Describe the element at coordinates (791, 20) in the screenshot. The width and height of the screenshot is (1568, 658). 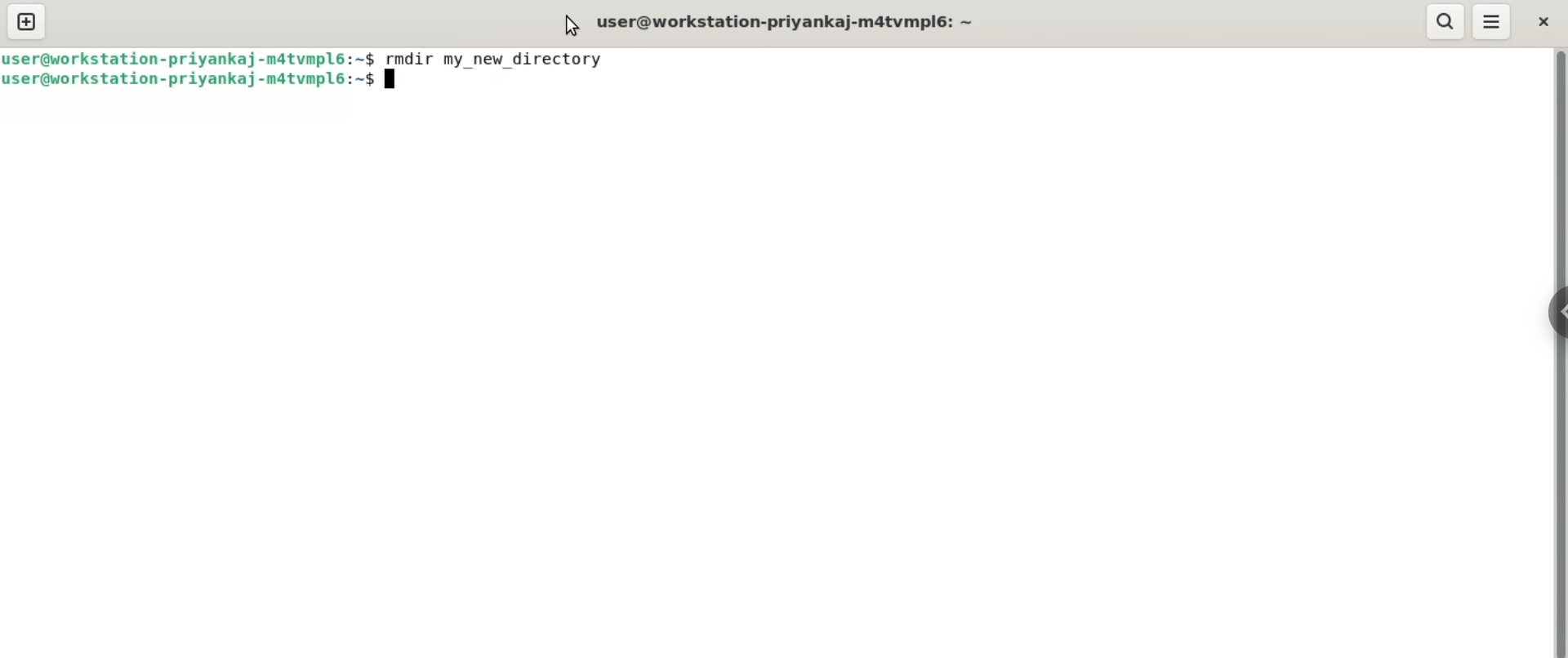
I see `user@workstation-priyanka-m4tvmpl6:~` at that location.